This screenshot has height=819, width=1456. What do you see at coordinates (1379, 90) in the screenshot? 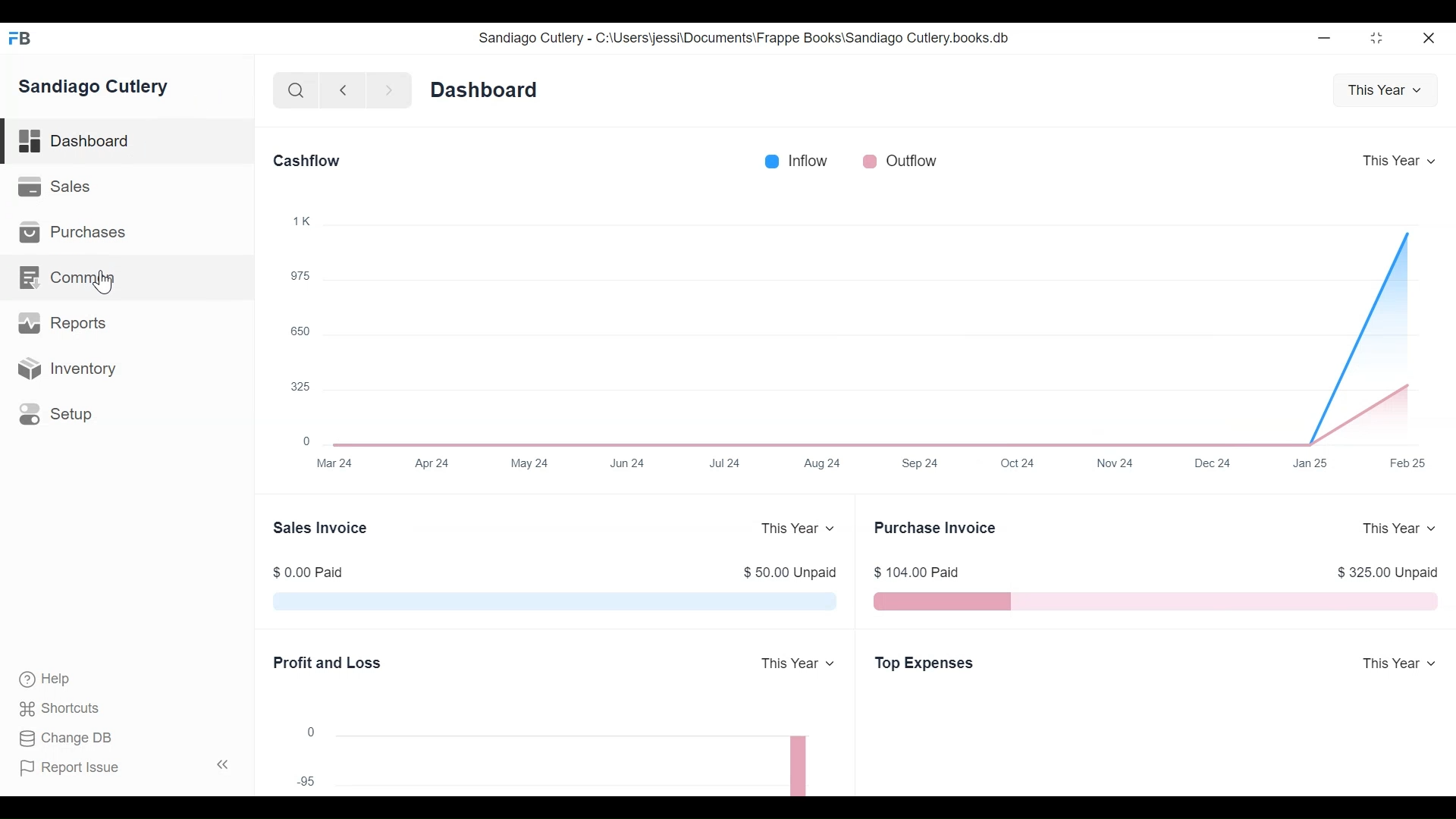
I see `This Year` at bounding box center [1379, 90].